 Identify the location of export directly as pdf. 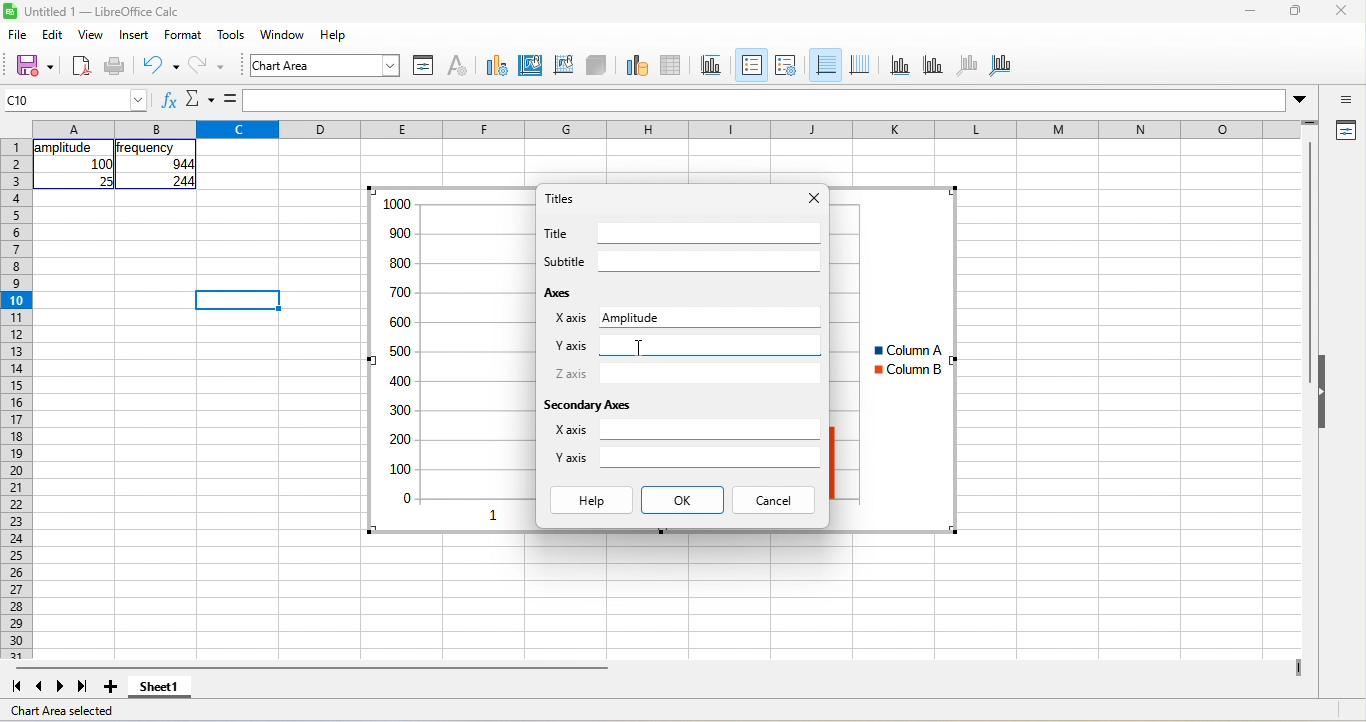
(81, 67).